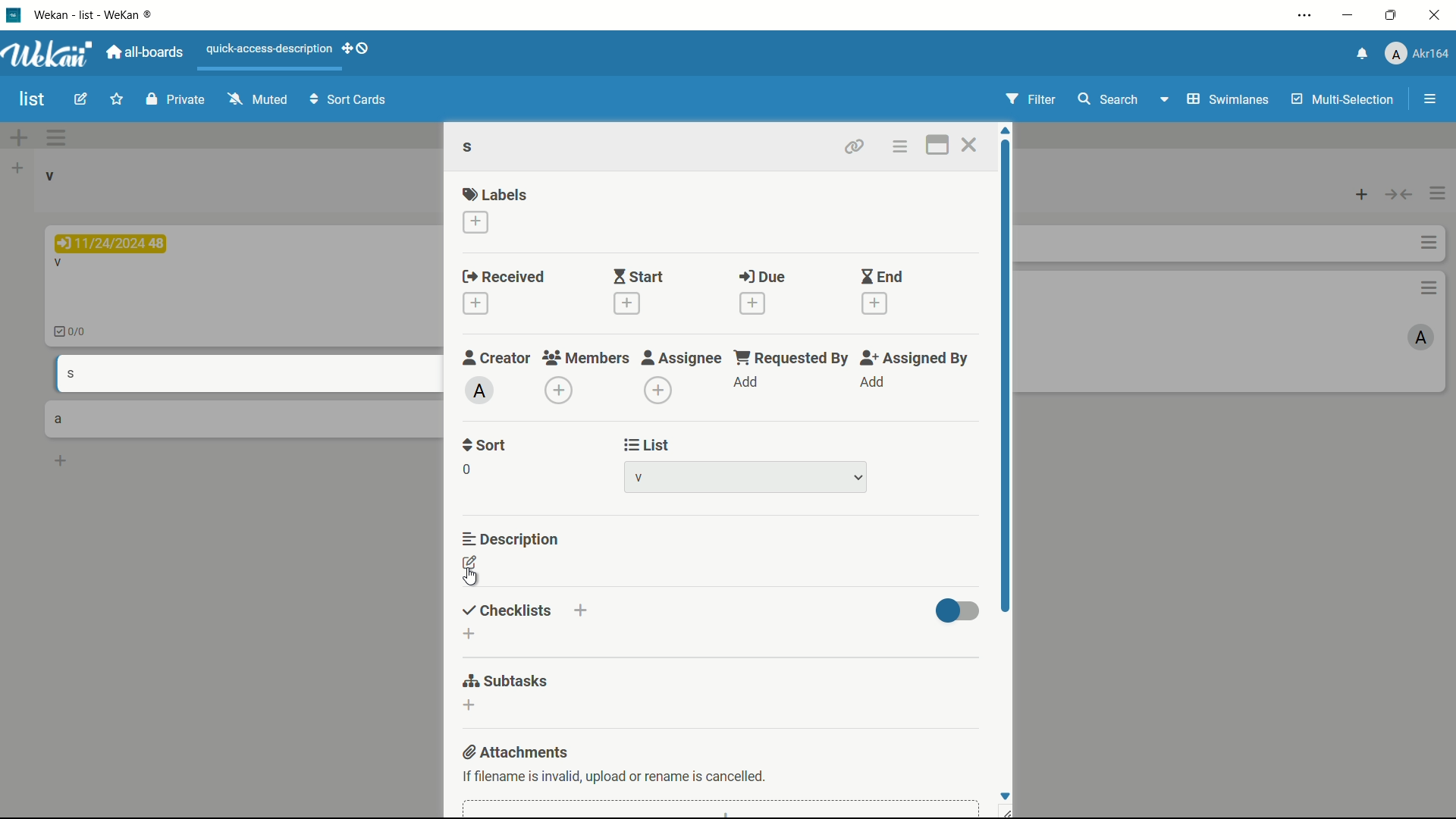 The height and width of the screenshot is (819, 1456). Describe the element at coordinates (497, 194) in the screenshot. I see `labels` at that location.